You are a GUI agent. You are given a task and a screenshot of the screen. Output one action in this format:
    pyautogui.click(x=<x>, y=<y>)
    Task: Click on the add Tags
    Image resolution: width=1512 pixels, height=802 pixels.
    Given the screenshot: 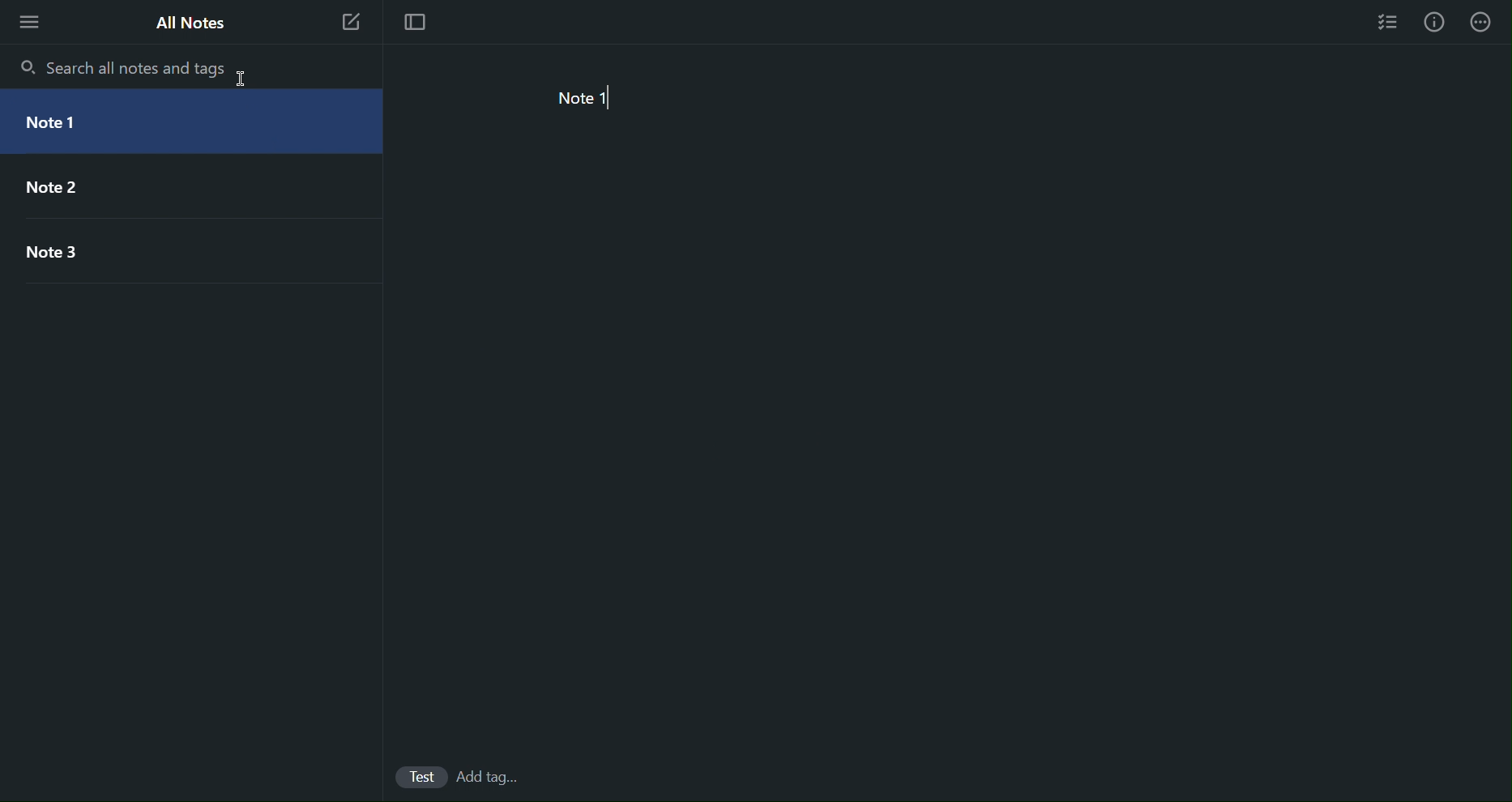 What is the action you would take?
    pyautogui.click(x=491, y=777)
    